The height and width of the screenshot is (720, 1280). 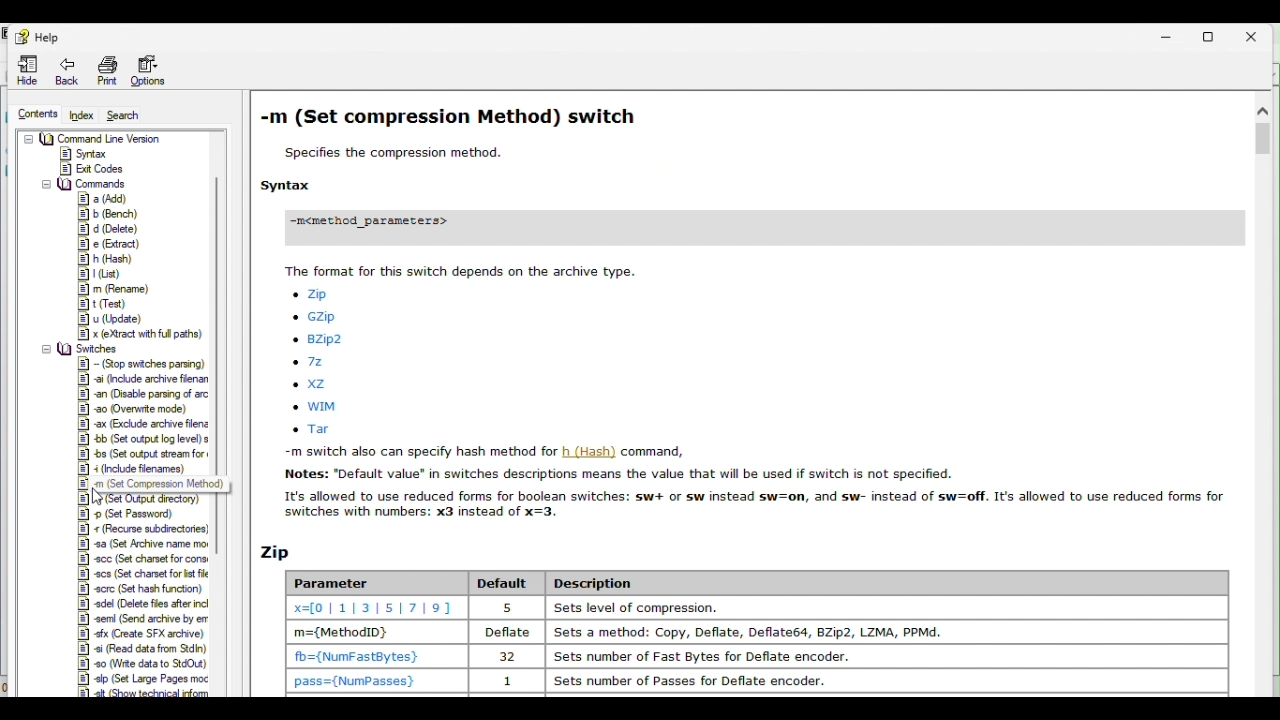 I want to click on set channel, so click(x=146, y=560).